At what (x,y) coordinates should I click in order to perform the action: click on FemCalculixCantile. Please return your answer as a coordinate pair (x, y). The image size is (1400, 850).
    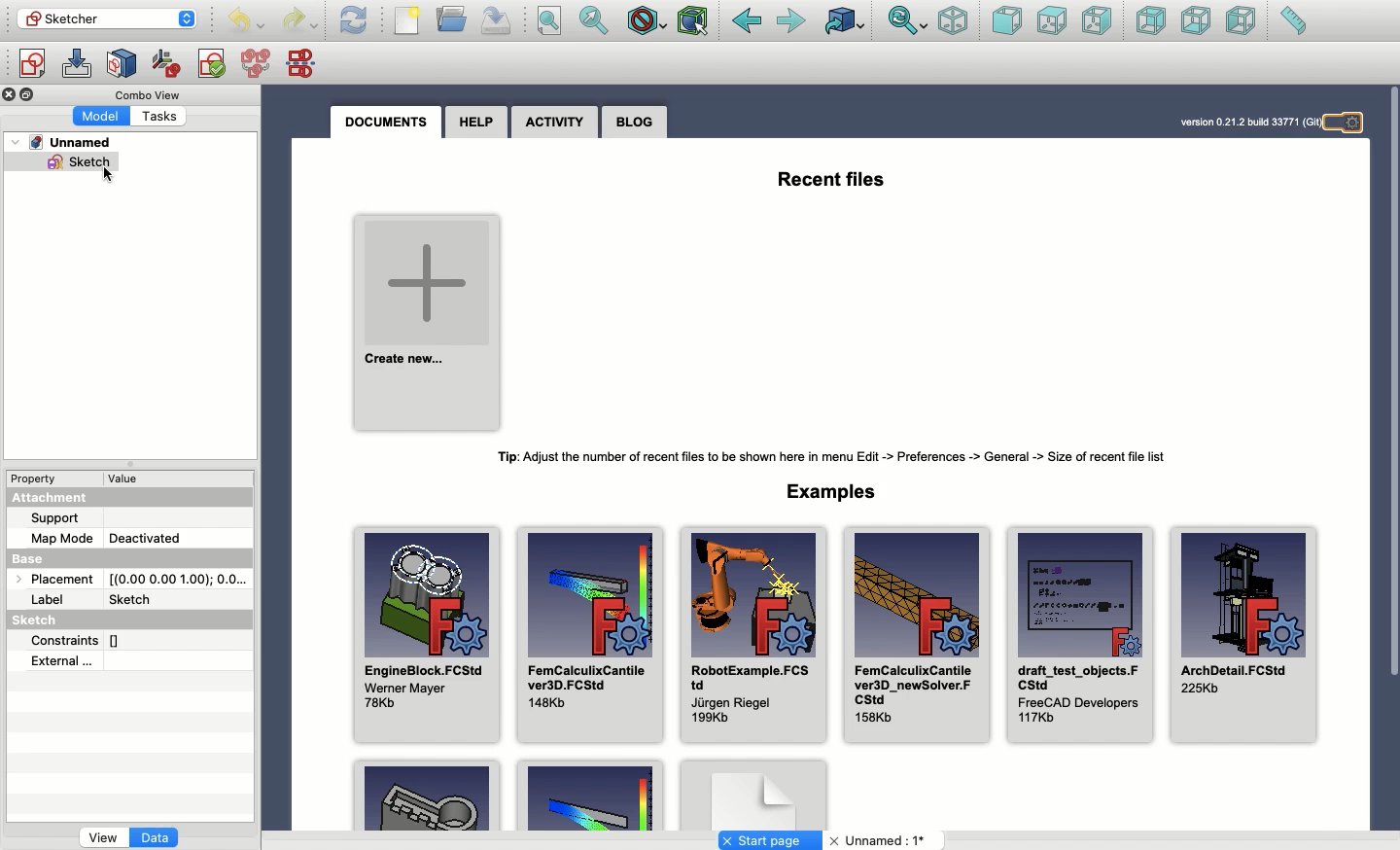
    Looking at the image, I should click on (915, 633).